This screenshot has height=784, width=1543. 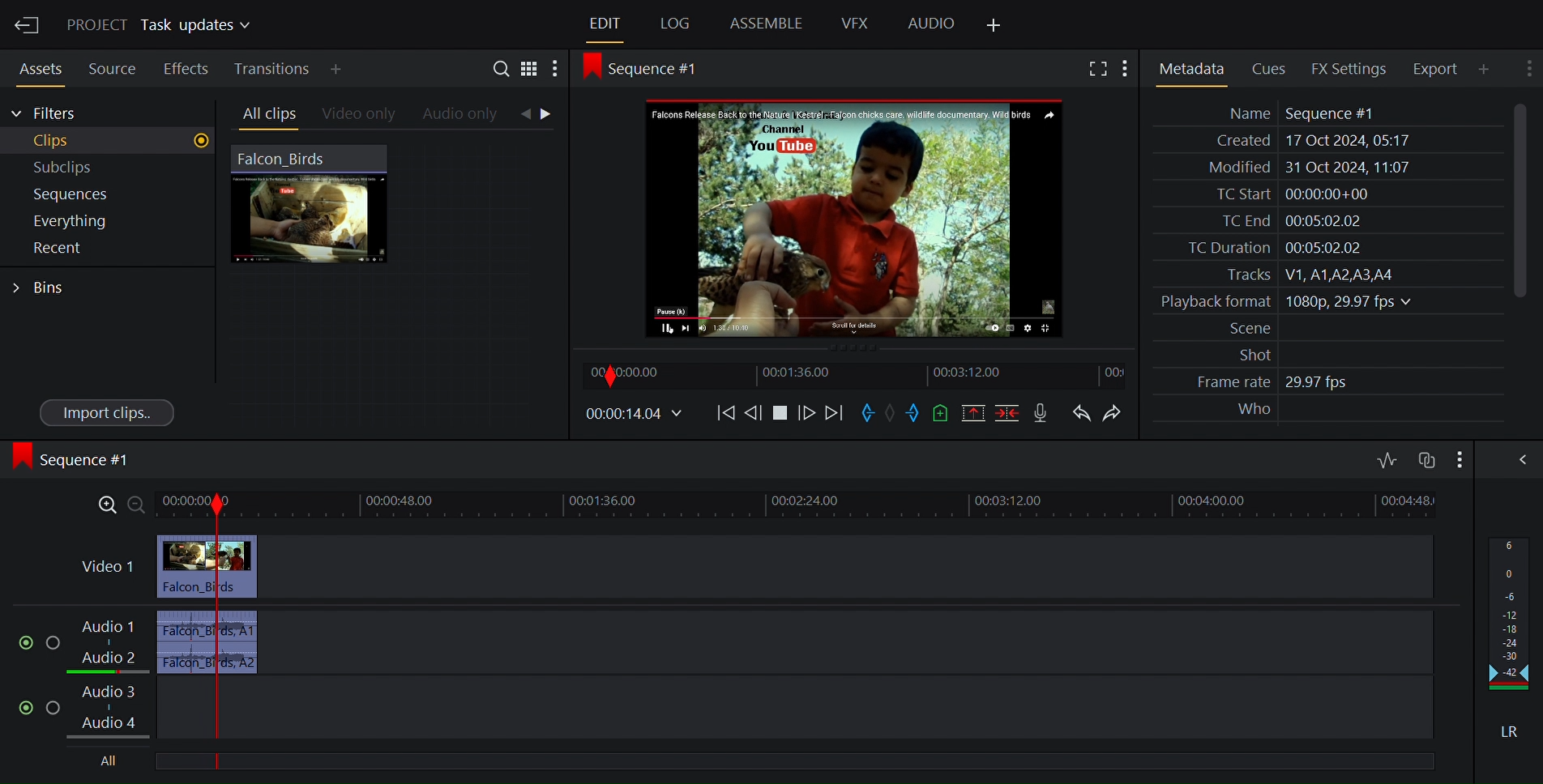 What do you see at coordinates (107, 762) in the screenshot?
I see `All` at bounding box center [107, 762].